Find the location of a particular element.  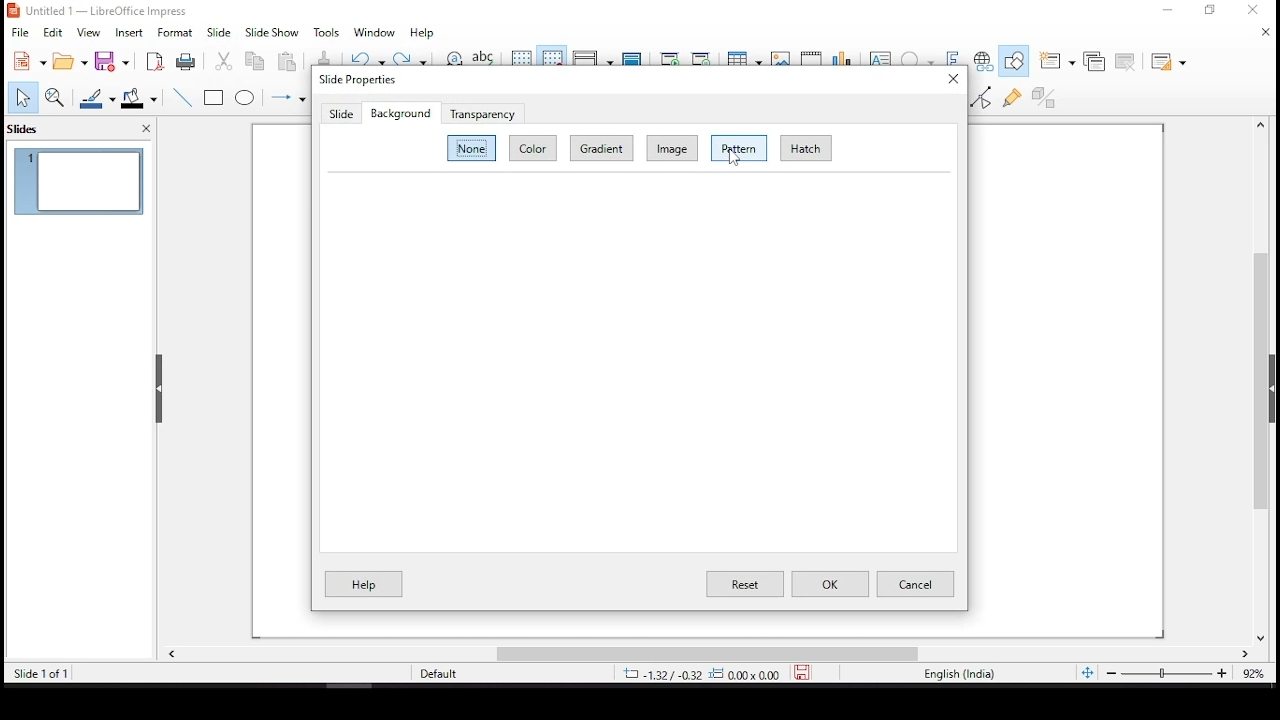

transparency is located at coordinates (482, 112).